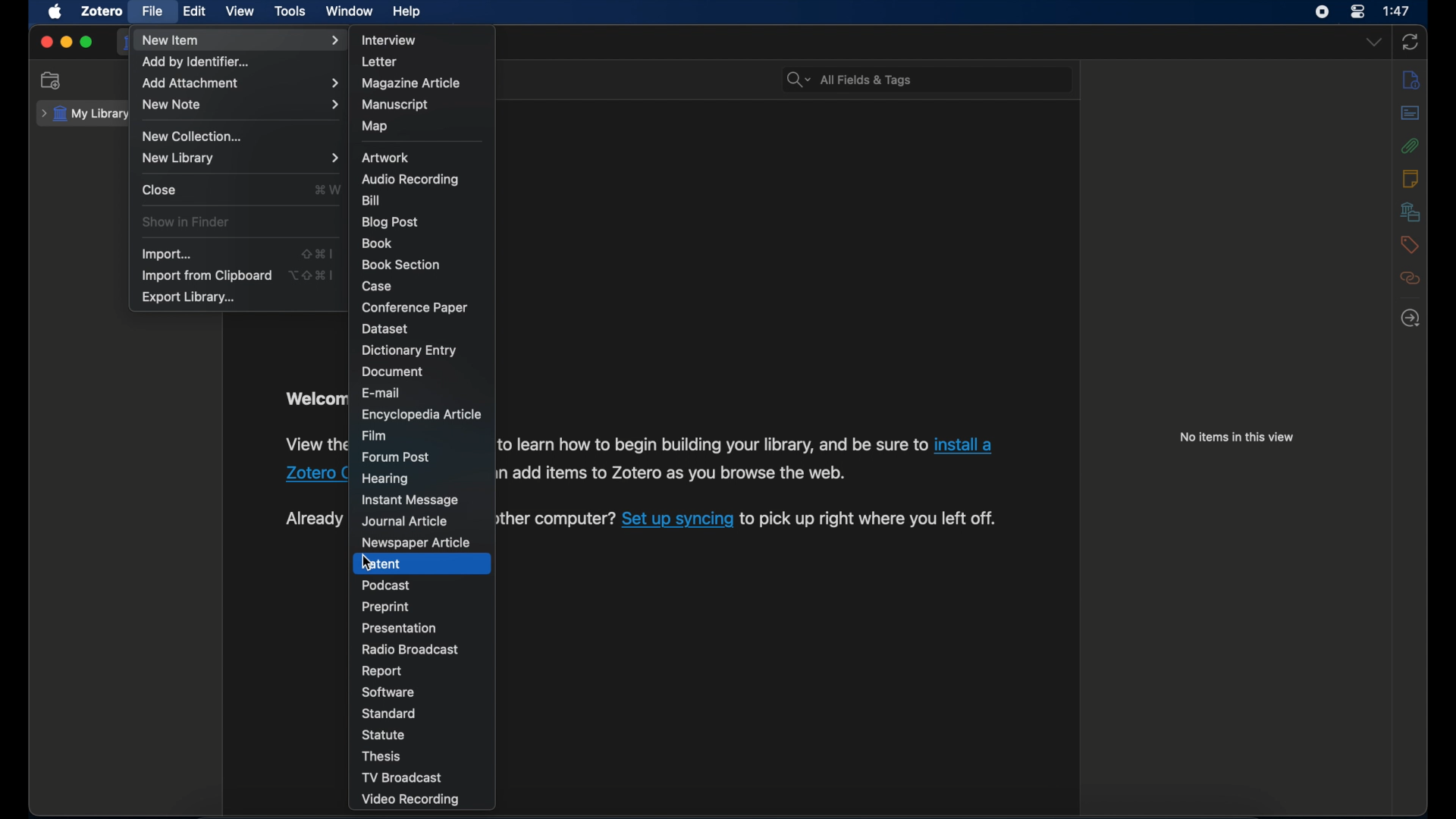  What do you see at coordinates (924, 79) in the screenshot?
I see `All Fields & Tags` at bounding box center [924, 79].